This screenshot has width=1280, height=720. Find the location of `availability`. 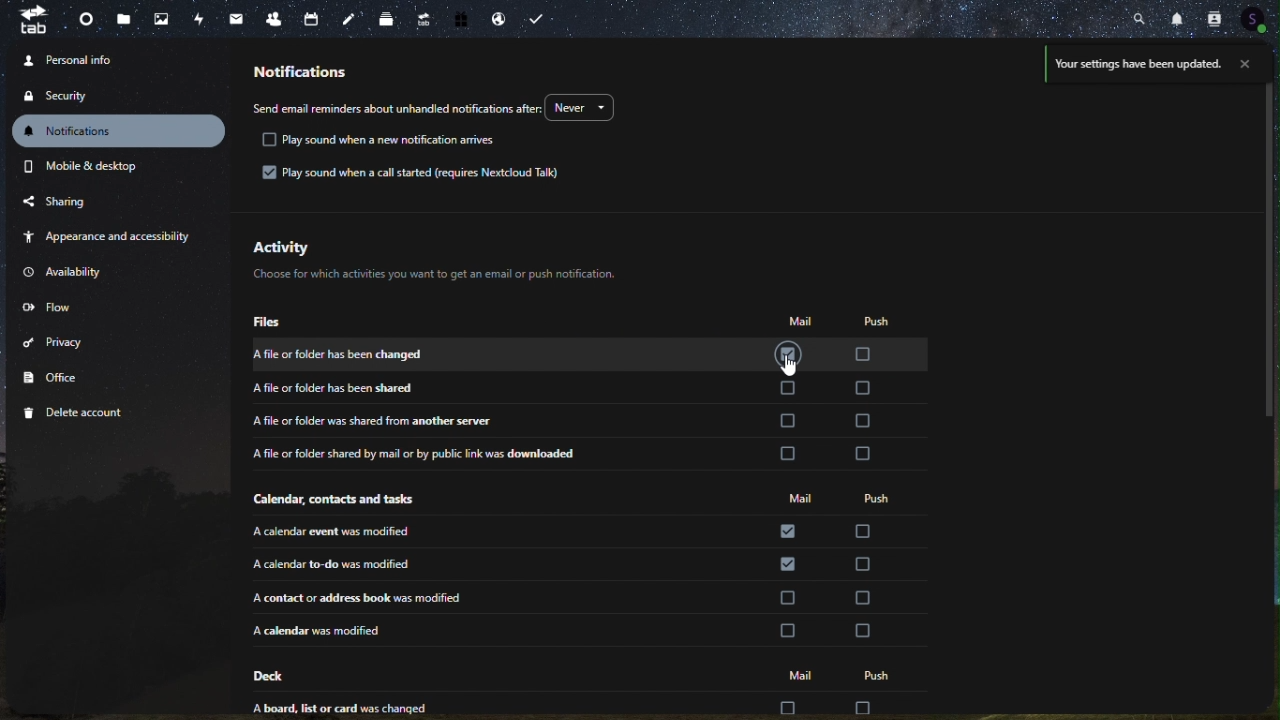

availability is located at coordinates (82, 272).